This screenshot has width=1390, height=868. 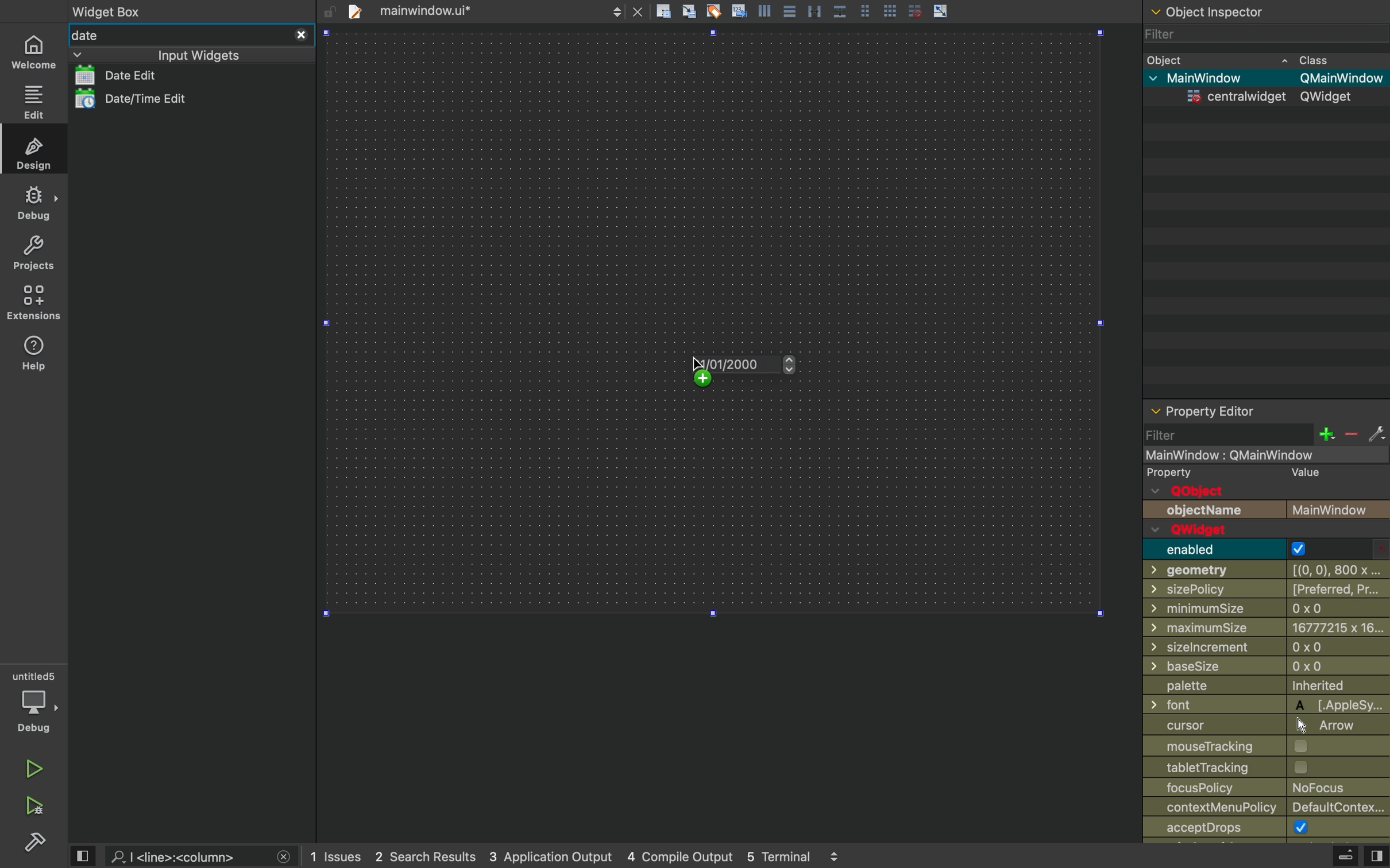 What do you see at coordinates (165, 55) in the screenshot?
I see `input widgets` at bounding box center [165, 55].